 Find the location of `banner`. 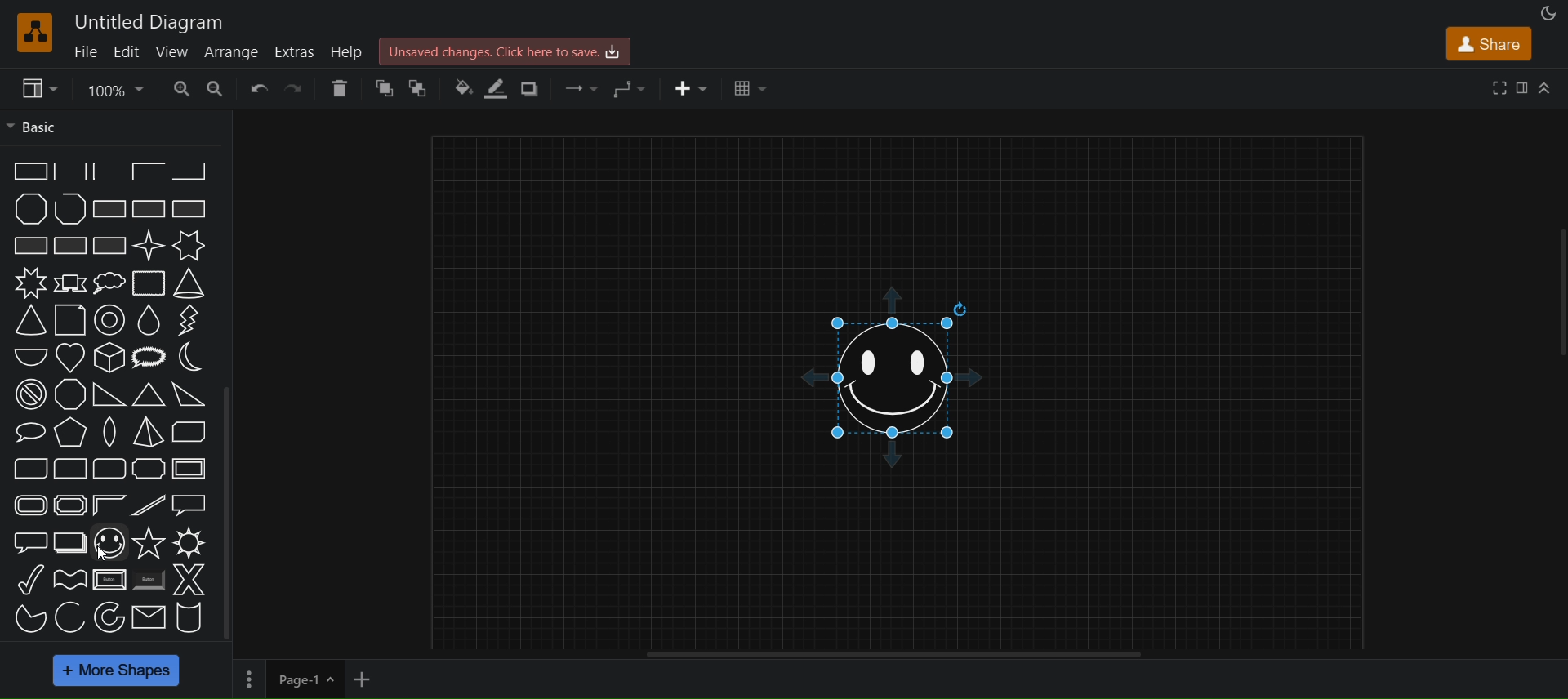

banner is located at coordinates (69, 284).